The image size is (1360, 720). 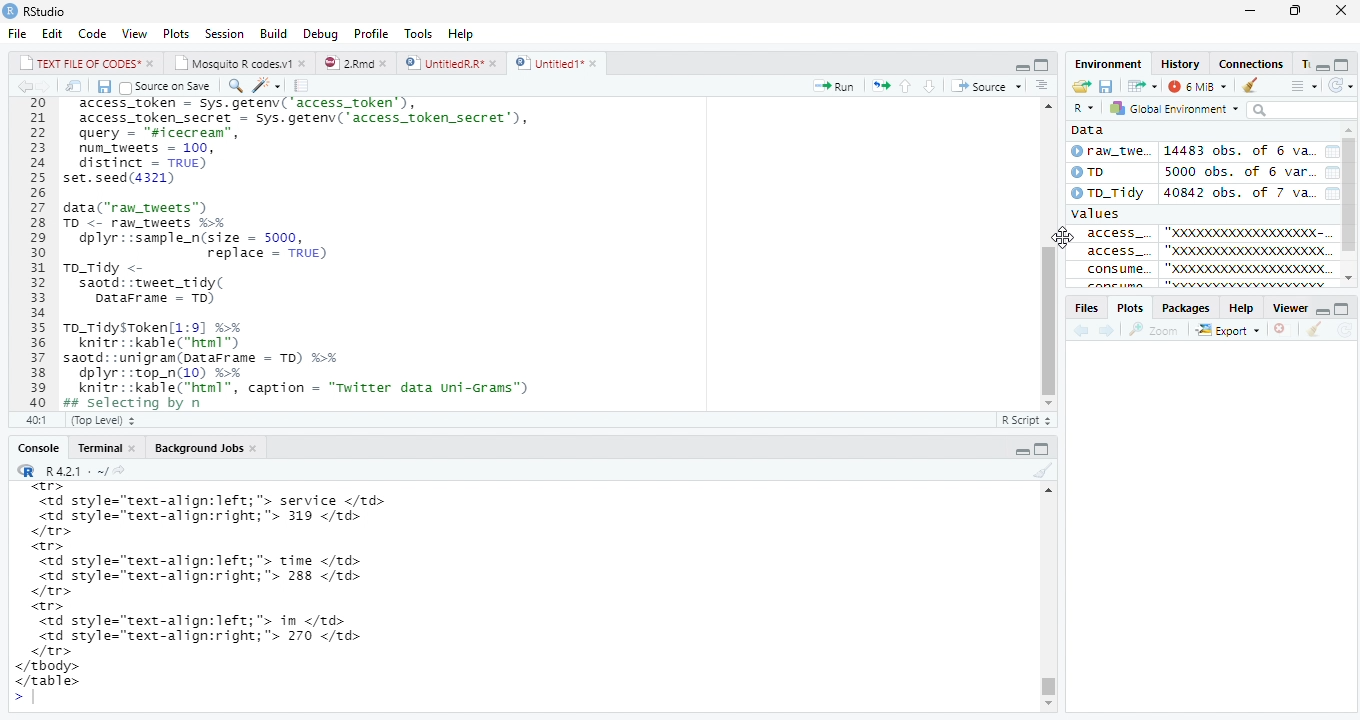 What do you see at coordinates (92, 33) in the screenshot?
I see `Code` at bounding box center [92, 33].